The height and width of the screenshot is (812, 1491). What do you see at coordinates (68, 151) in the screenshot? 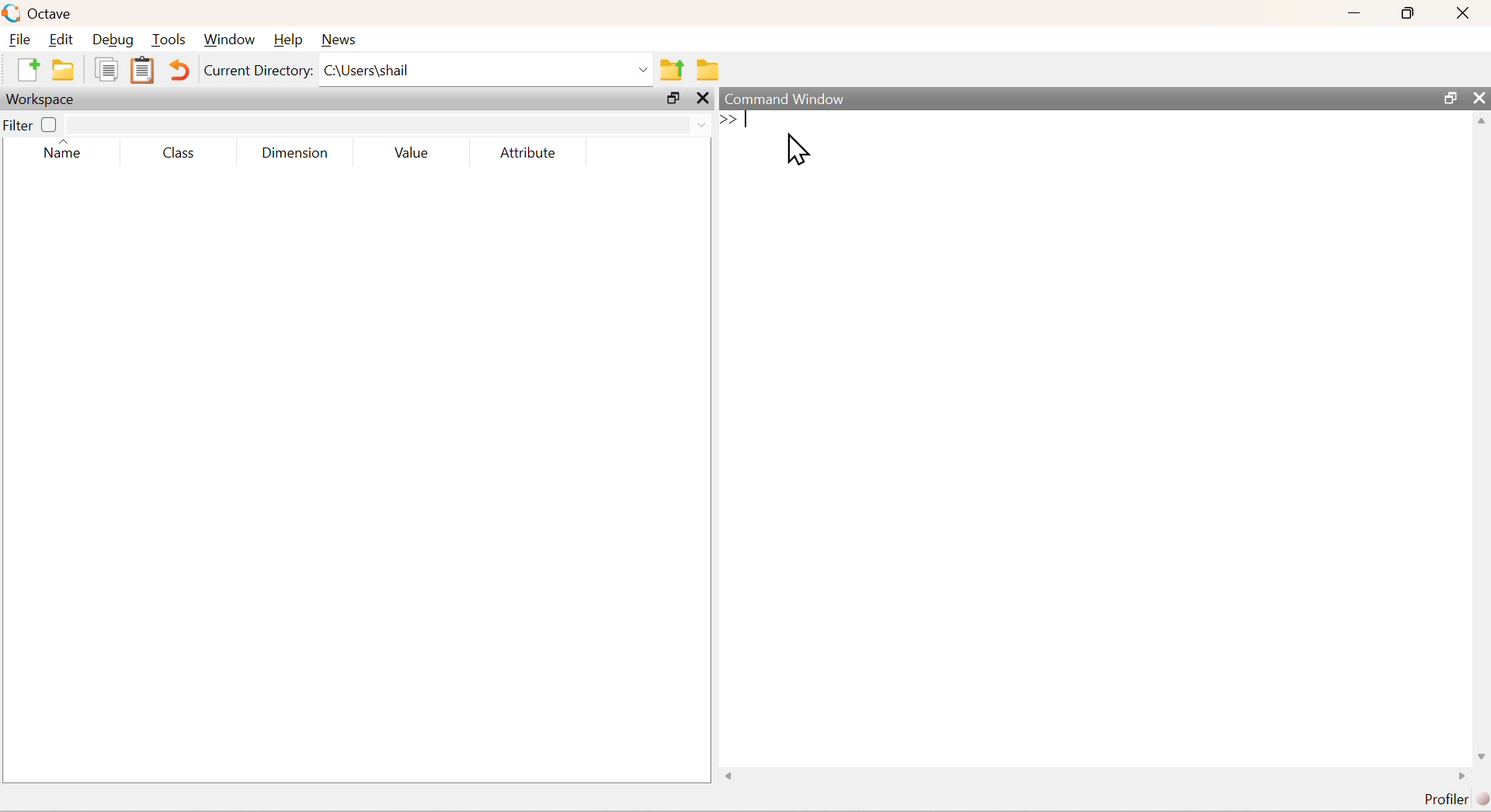
I see `Name` at bounding box center [68, 151].